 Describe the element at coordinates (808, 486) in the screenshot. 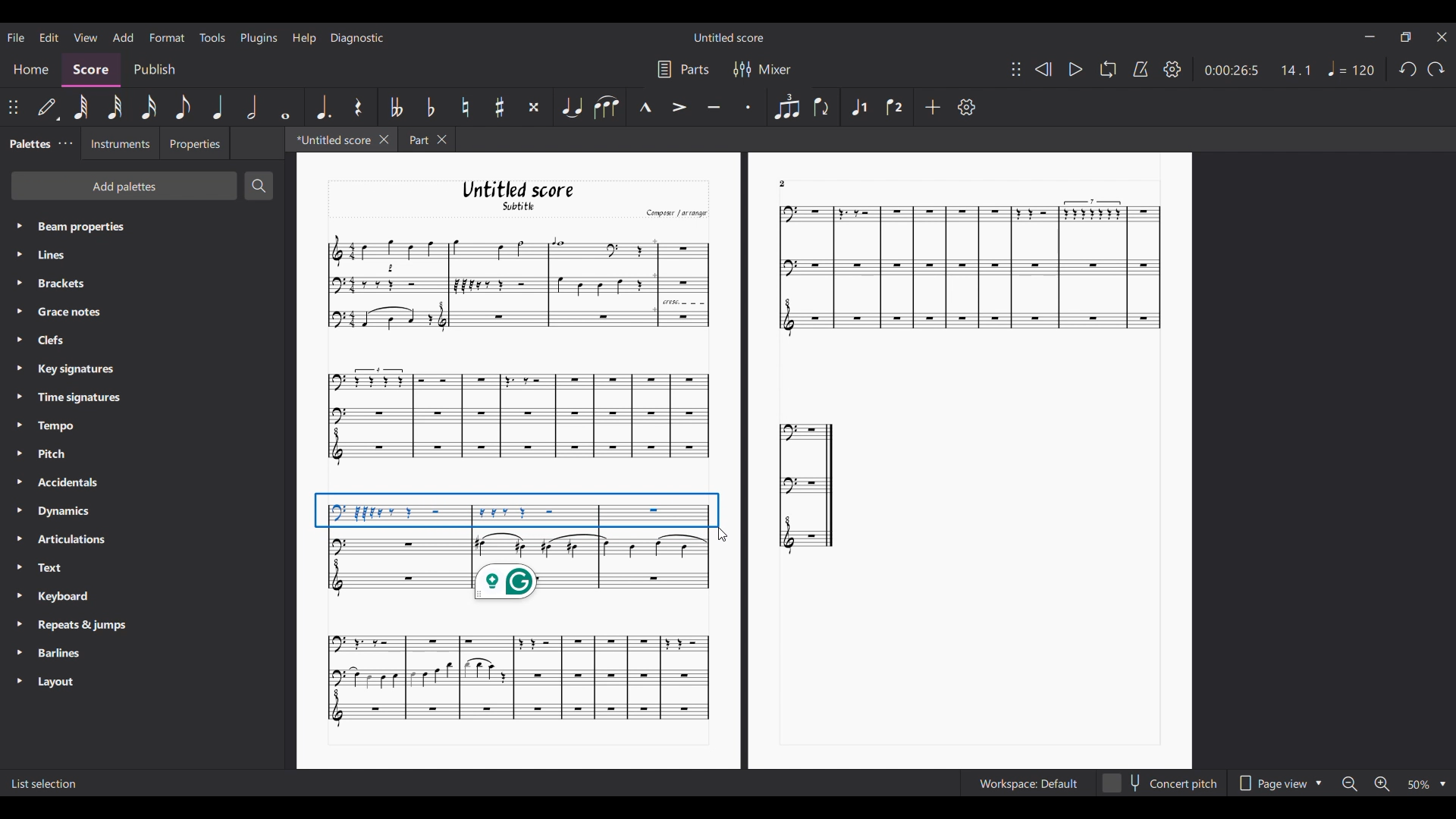

I see `Graph` at that location.